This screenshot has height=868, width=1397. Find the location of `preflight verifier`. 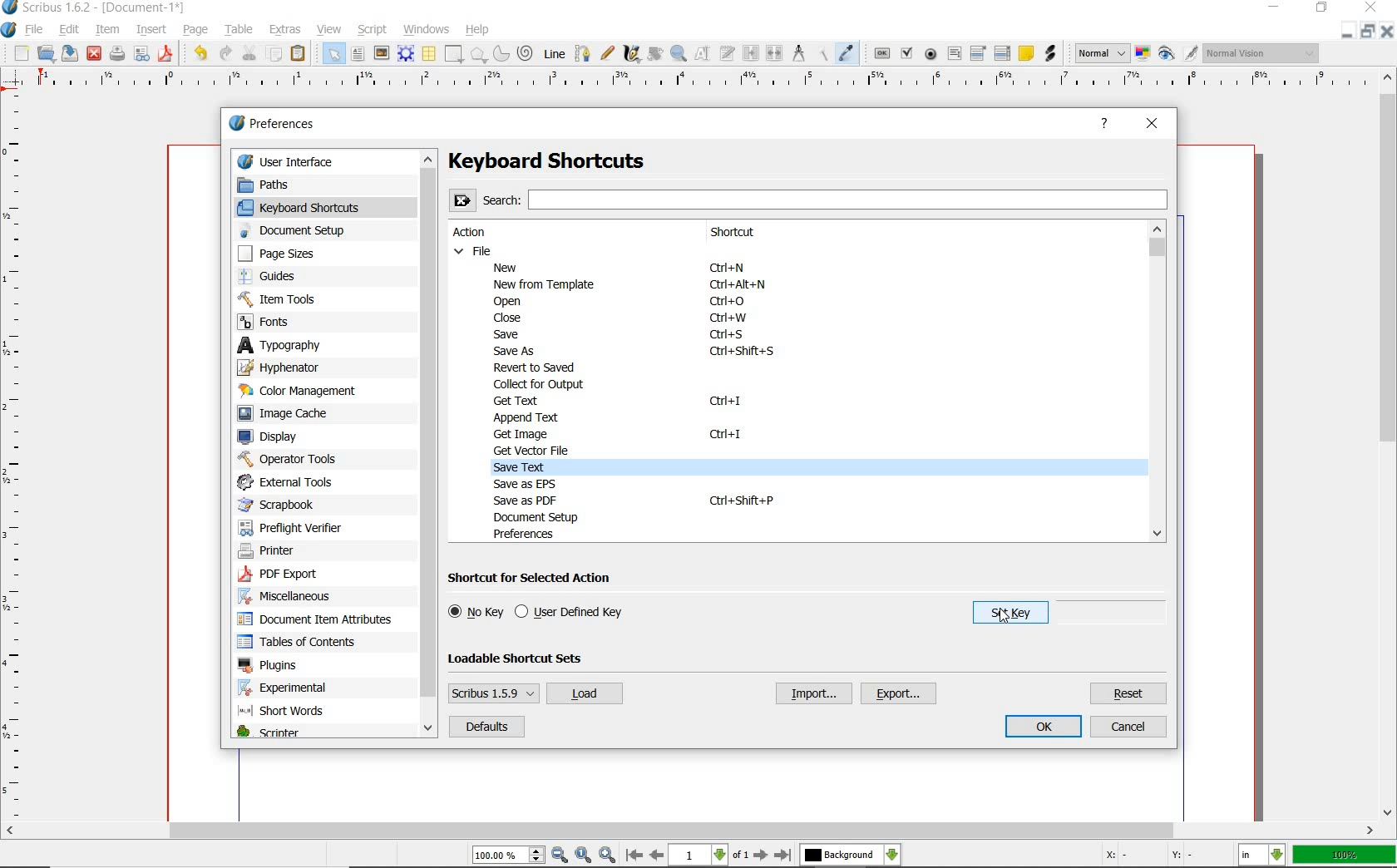

preflight verifier is located at coordinates (291, 525).